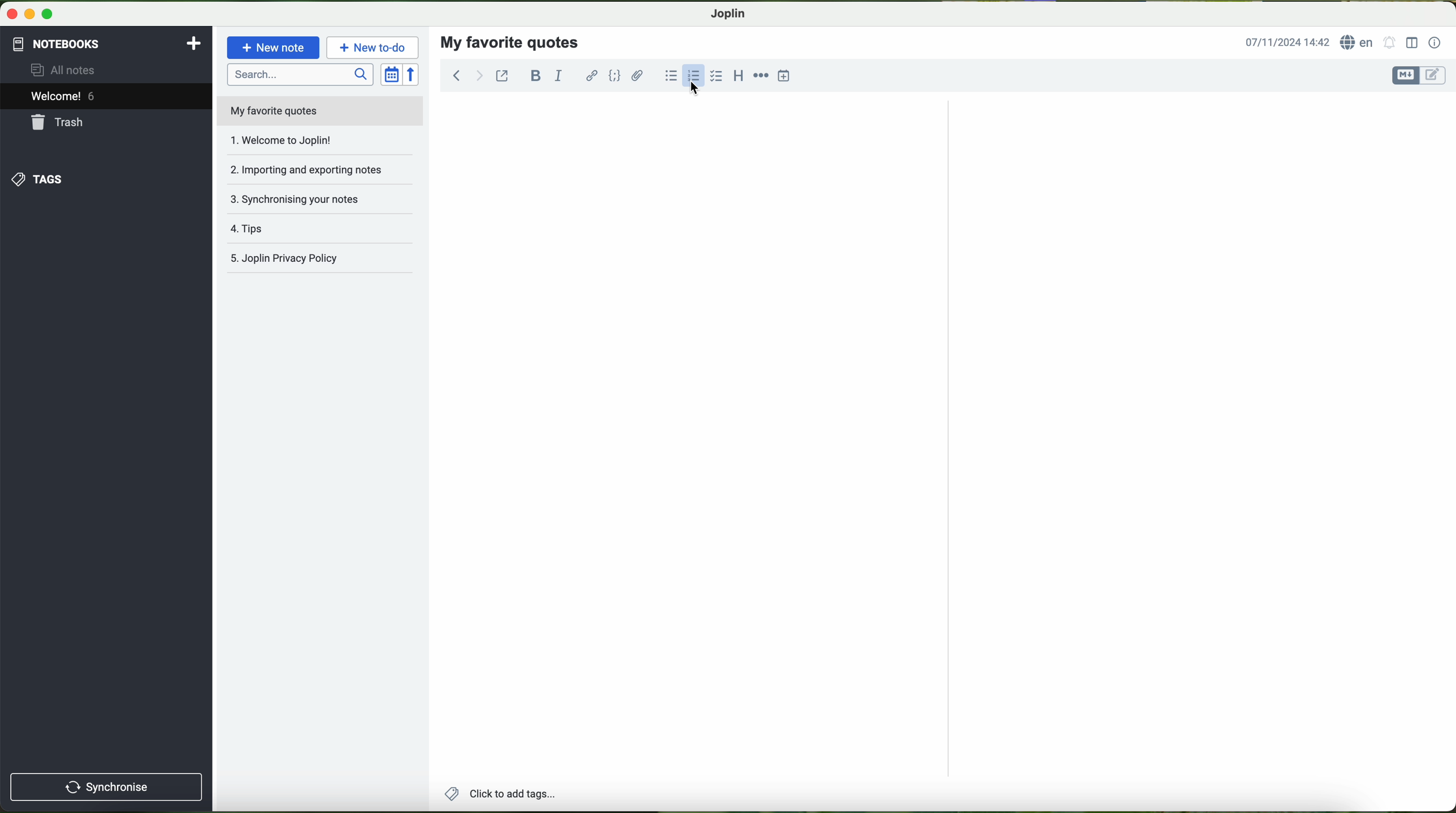 The height and width of the screenshot is (813, 1456). Describe the element at coordinates (787, 75) in the screenshot. I see `insert time` at that location.